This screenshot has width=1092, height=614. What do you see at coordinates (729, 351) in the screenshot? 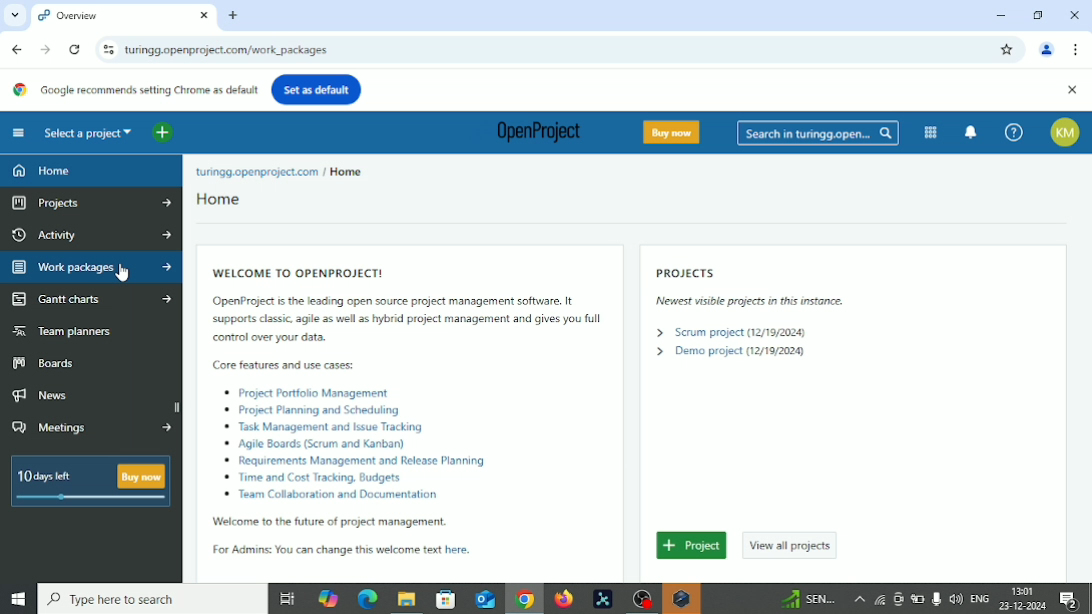
I see `> Demo project (12/19/2024)` at bounding box center [729, 351].